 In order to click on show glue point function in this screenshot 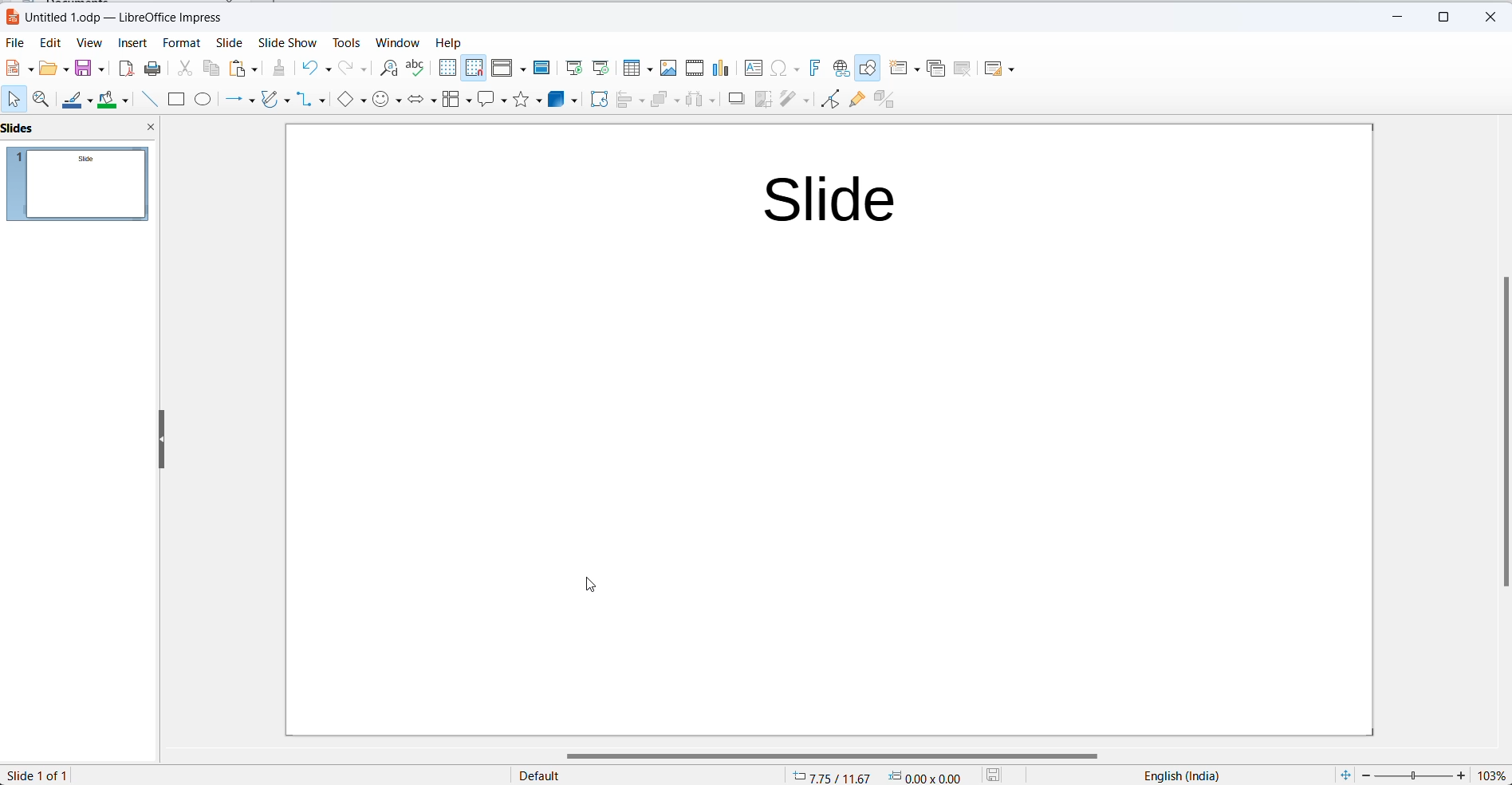, I will do `click(857, 101)`.